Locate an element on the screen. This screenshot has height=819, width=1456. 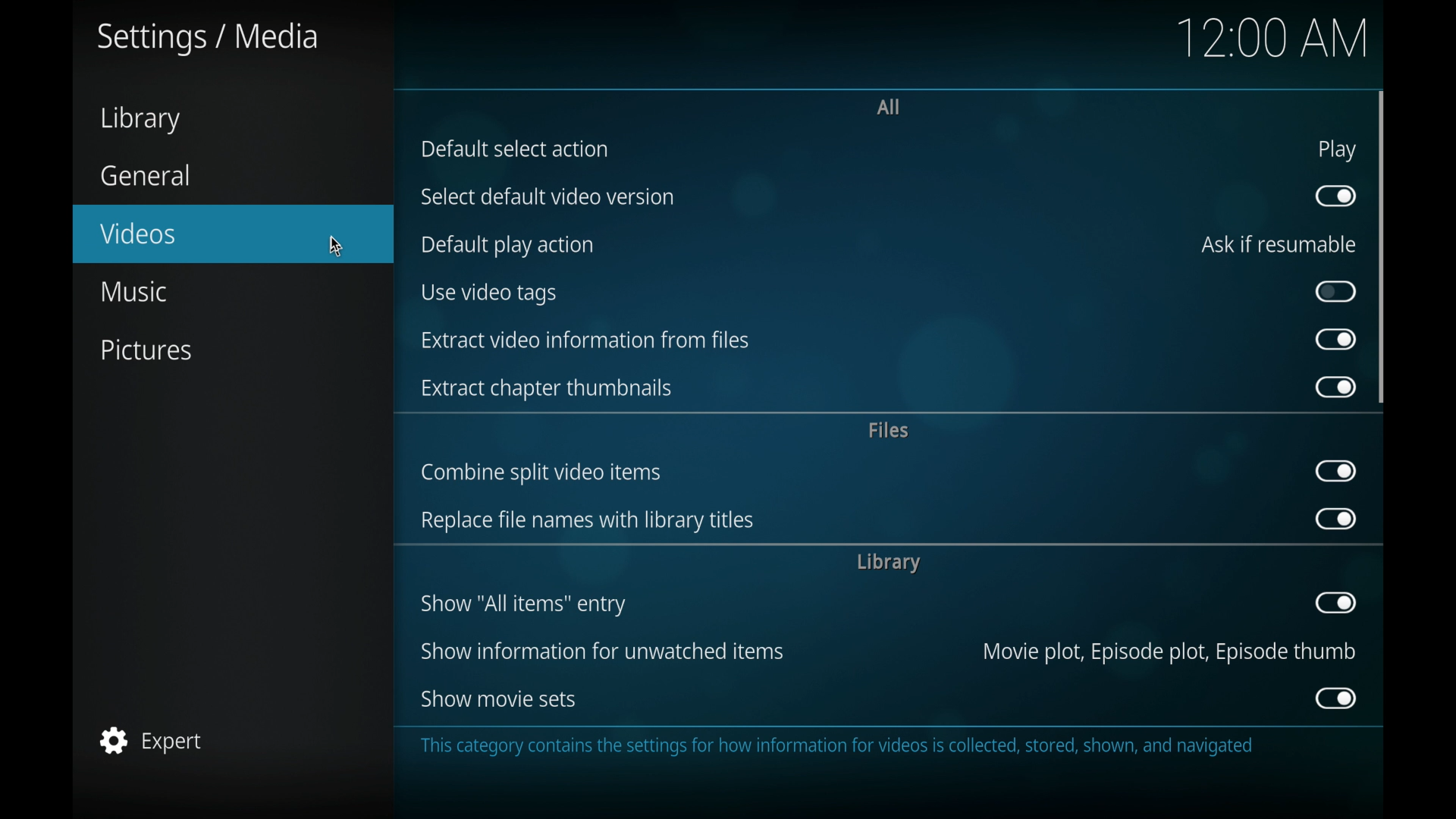
pictures is located at coordinates (150, 350).